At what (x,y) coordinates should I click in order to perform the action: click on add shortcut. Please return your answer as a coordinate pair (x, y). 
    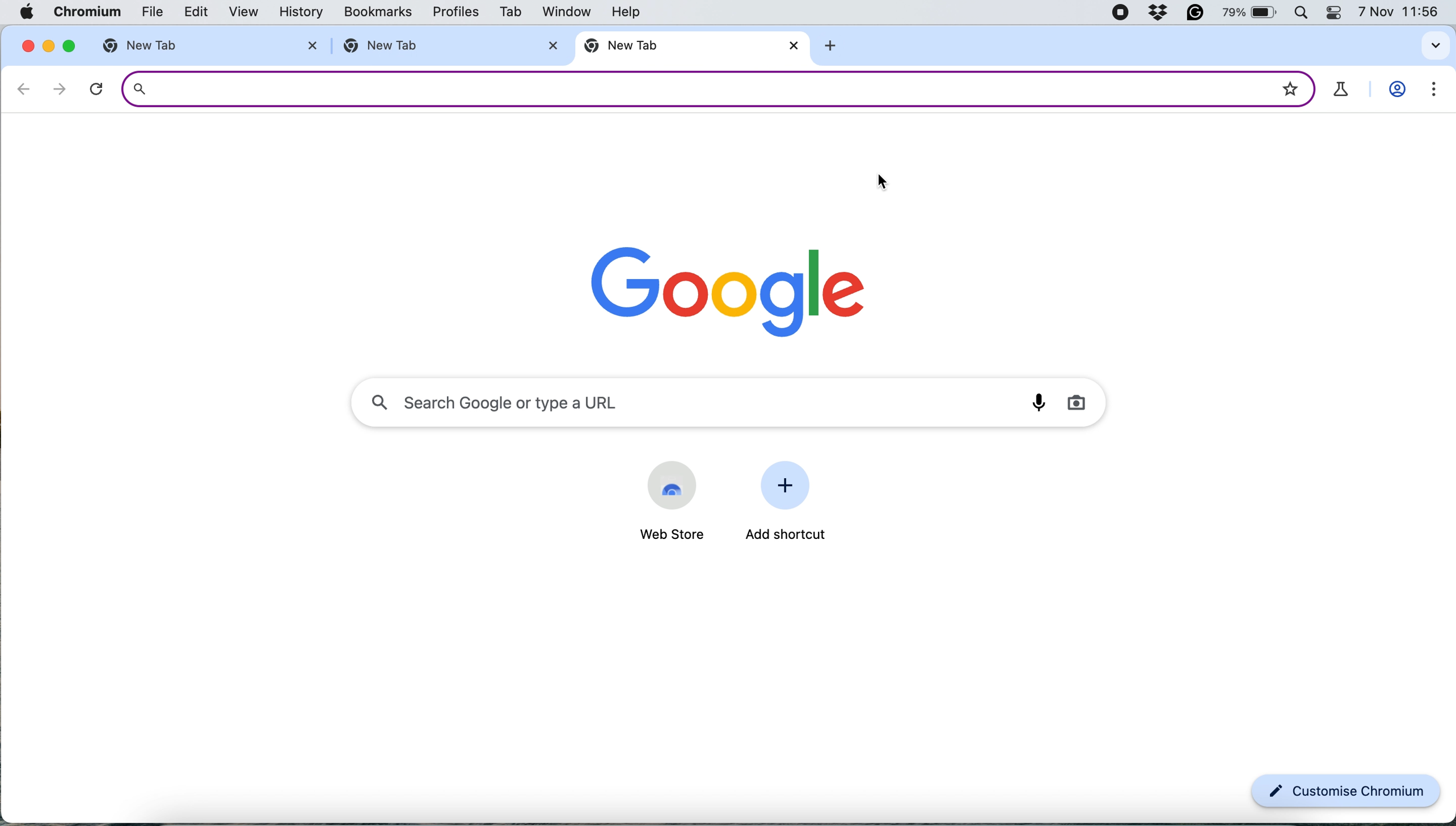
    Looking at the image, I should click on (790, 487).